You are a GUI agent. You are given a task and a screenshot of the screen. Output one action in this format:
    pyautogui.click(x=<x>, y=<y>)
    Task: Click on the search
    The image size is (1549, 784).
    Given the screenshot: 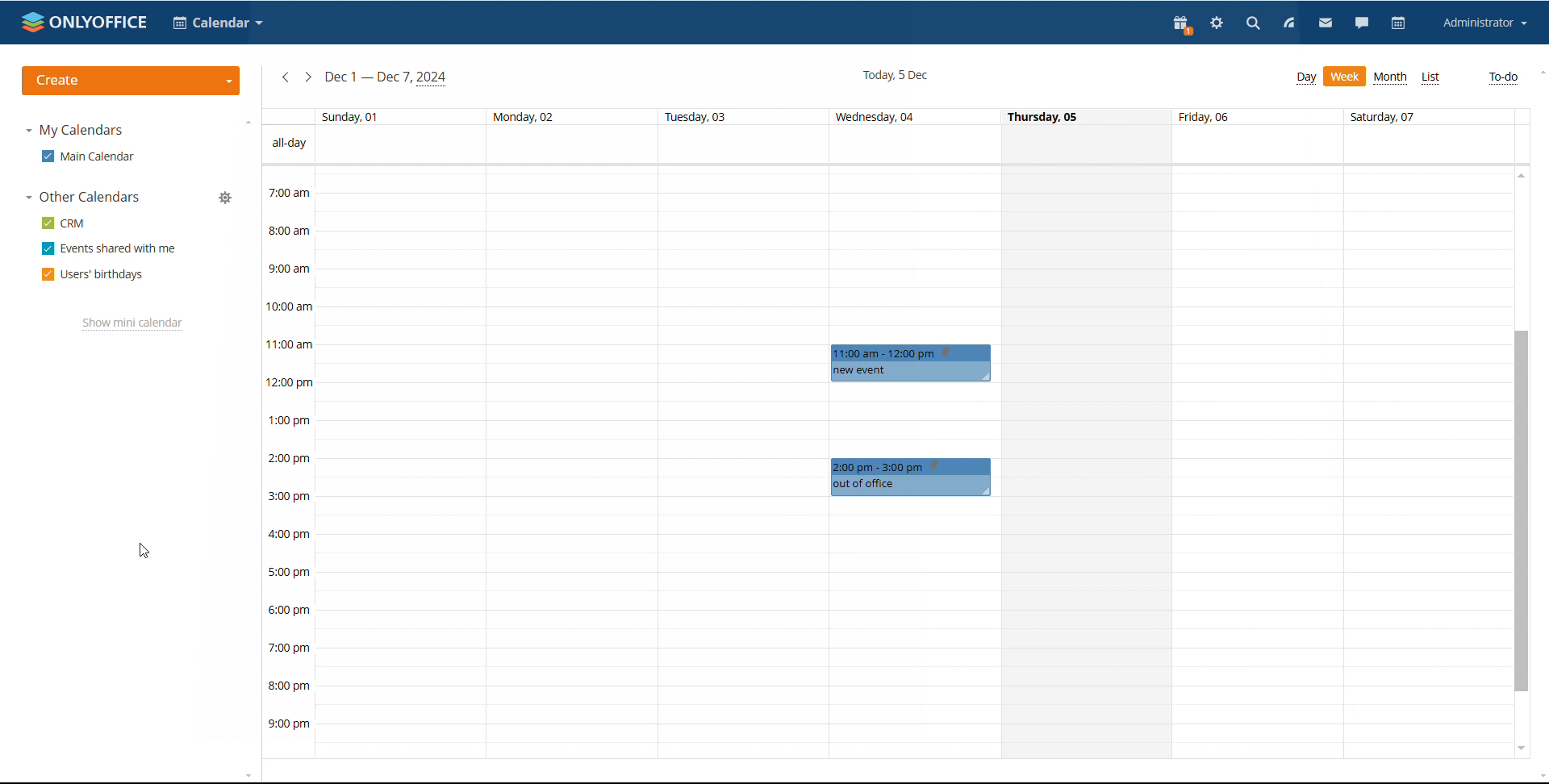 What is the action you would take?
    pyautogui.click(x=1251, y=24)
    